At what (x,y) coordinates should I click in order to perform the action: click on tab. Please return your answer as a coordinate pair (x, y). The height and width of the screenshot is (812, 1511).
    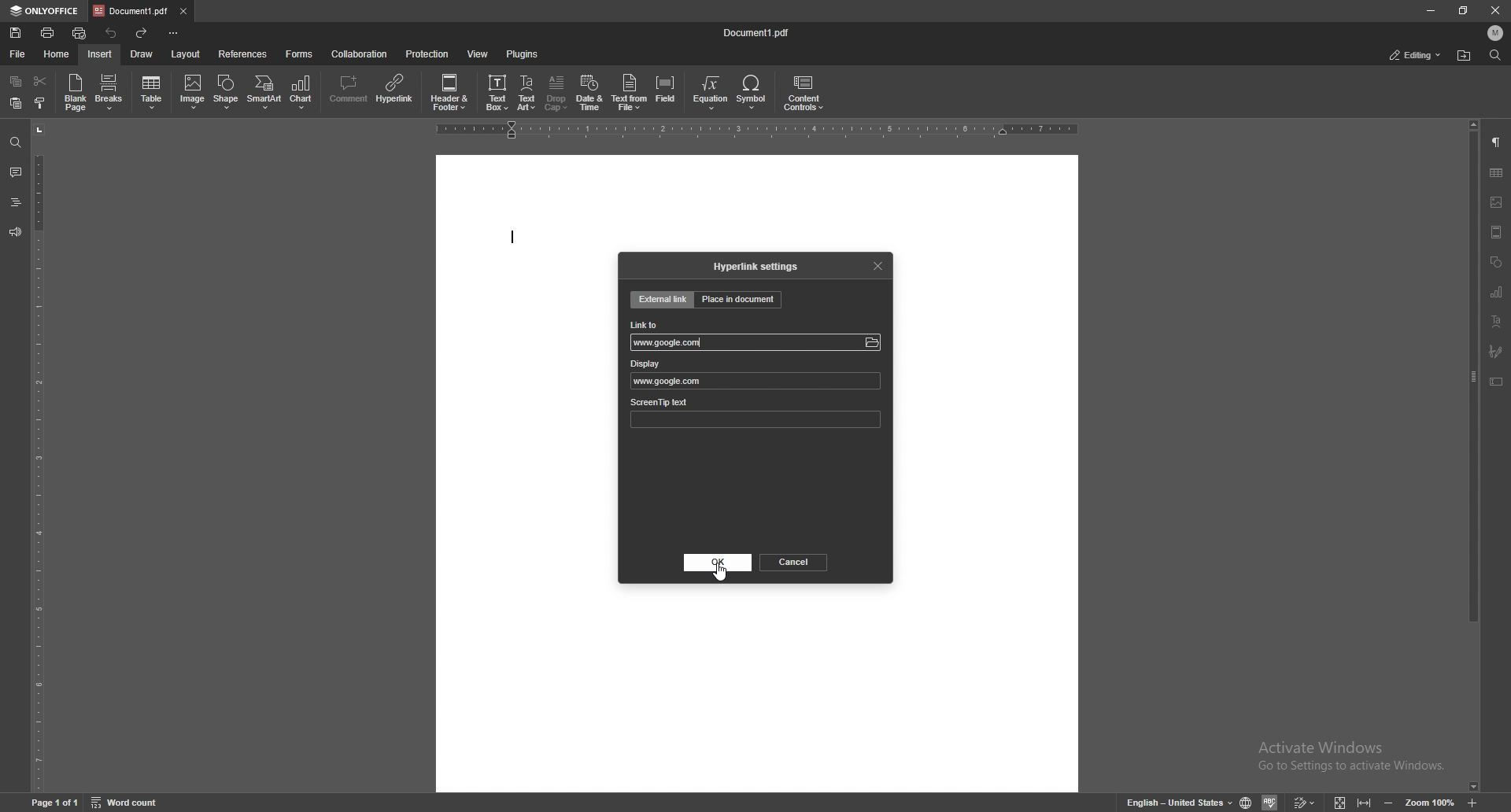
    Looking at the image, I should click on (131, 11).